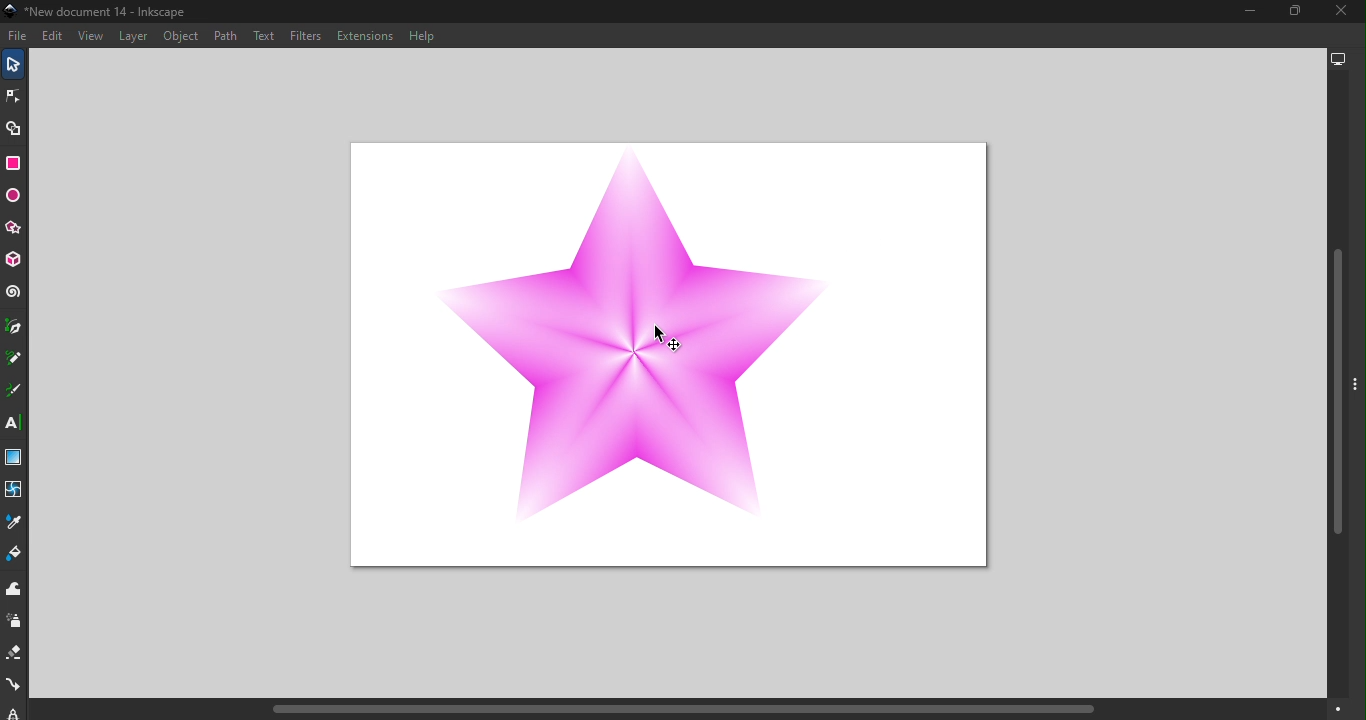  I want to click on Edit, so click(53, 37).